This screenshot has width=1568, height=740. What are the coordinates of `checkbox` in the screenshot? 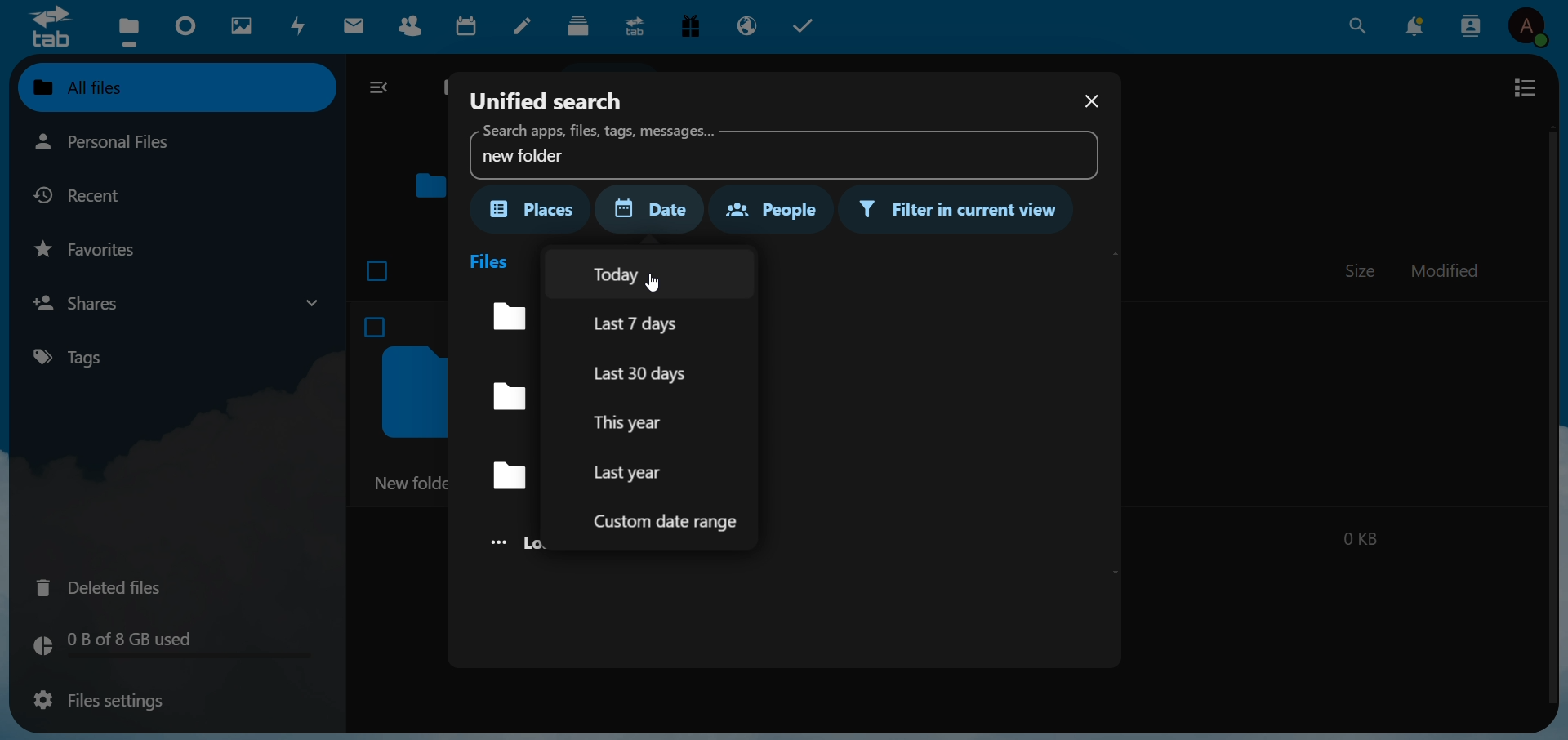 It's located at (379, 267).